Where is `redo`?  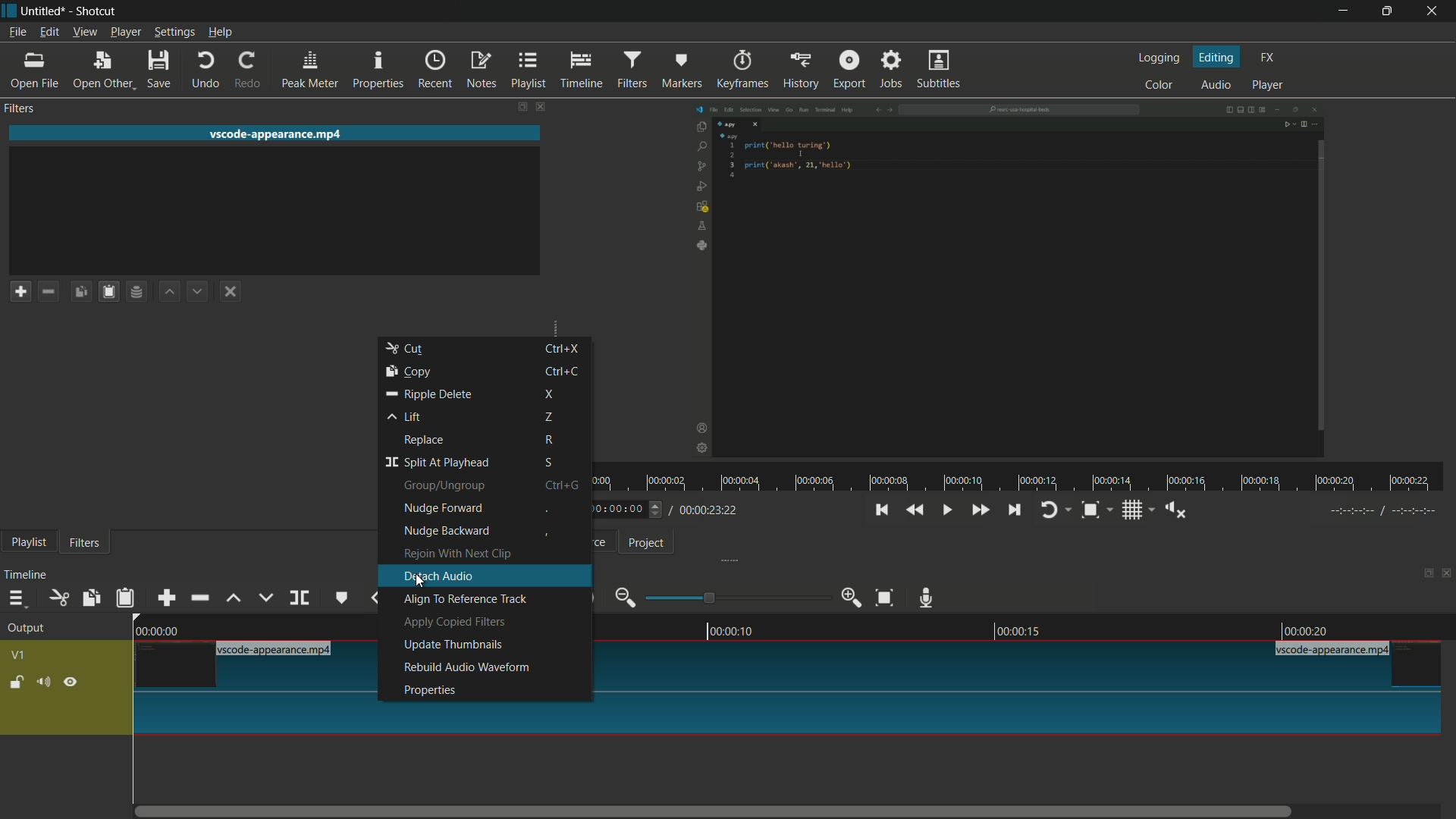
redo is located at coordinates (247, 70).